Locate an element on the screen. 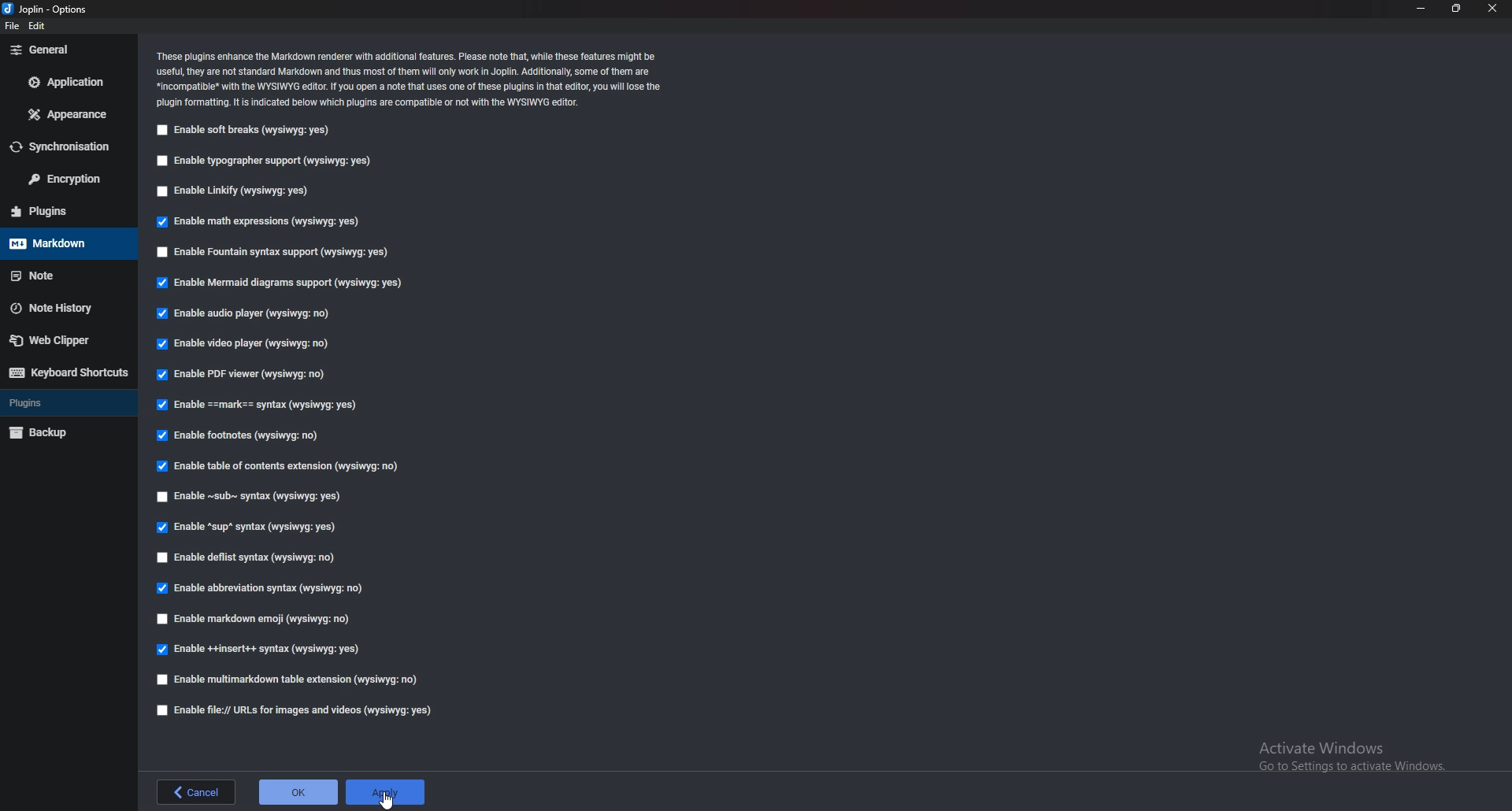 Image resolution: width=1512 pixels, height=811 pixels. Cursor is located at coordinates (386, 799).